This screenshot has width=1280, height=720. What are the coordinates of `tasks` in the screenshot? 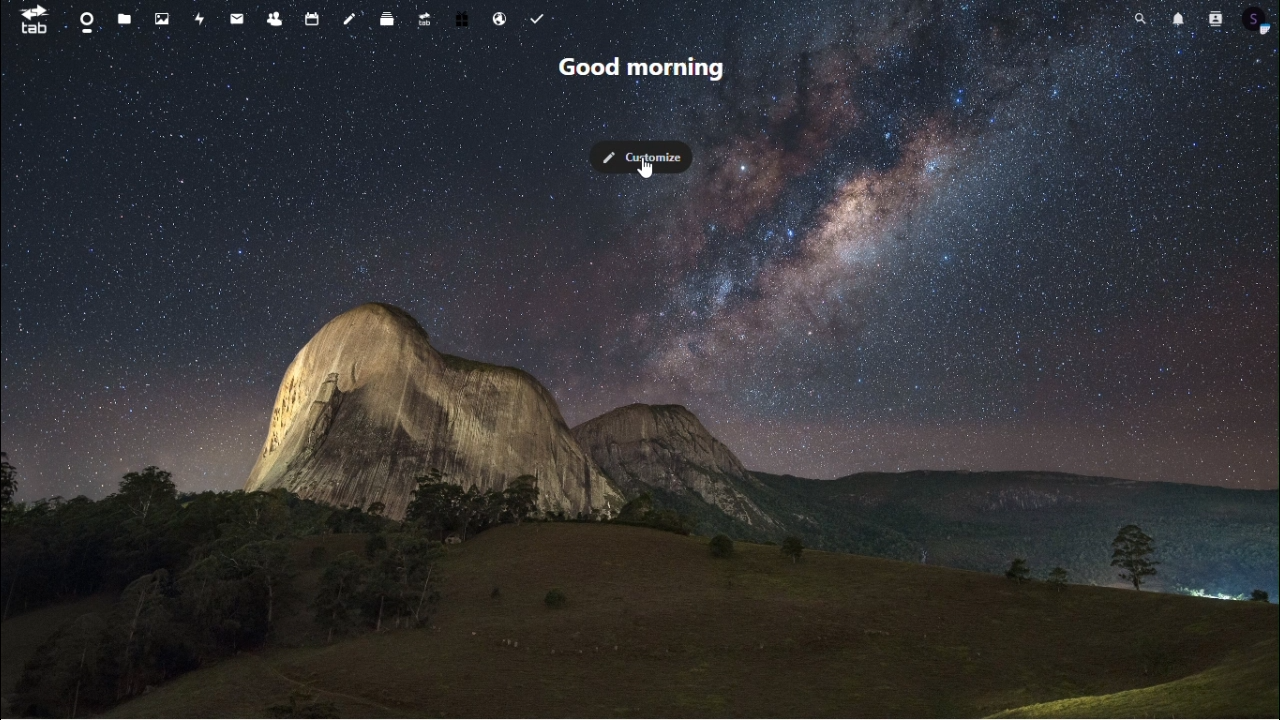 It's located at (545, 17).